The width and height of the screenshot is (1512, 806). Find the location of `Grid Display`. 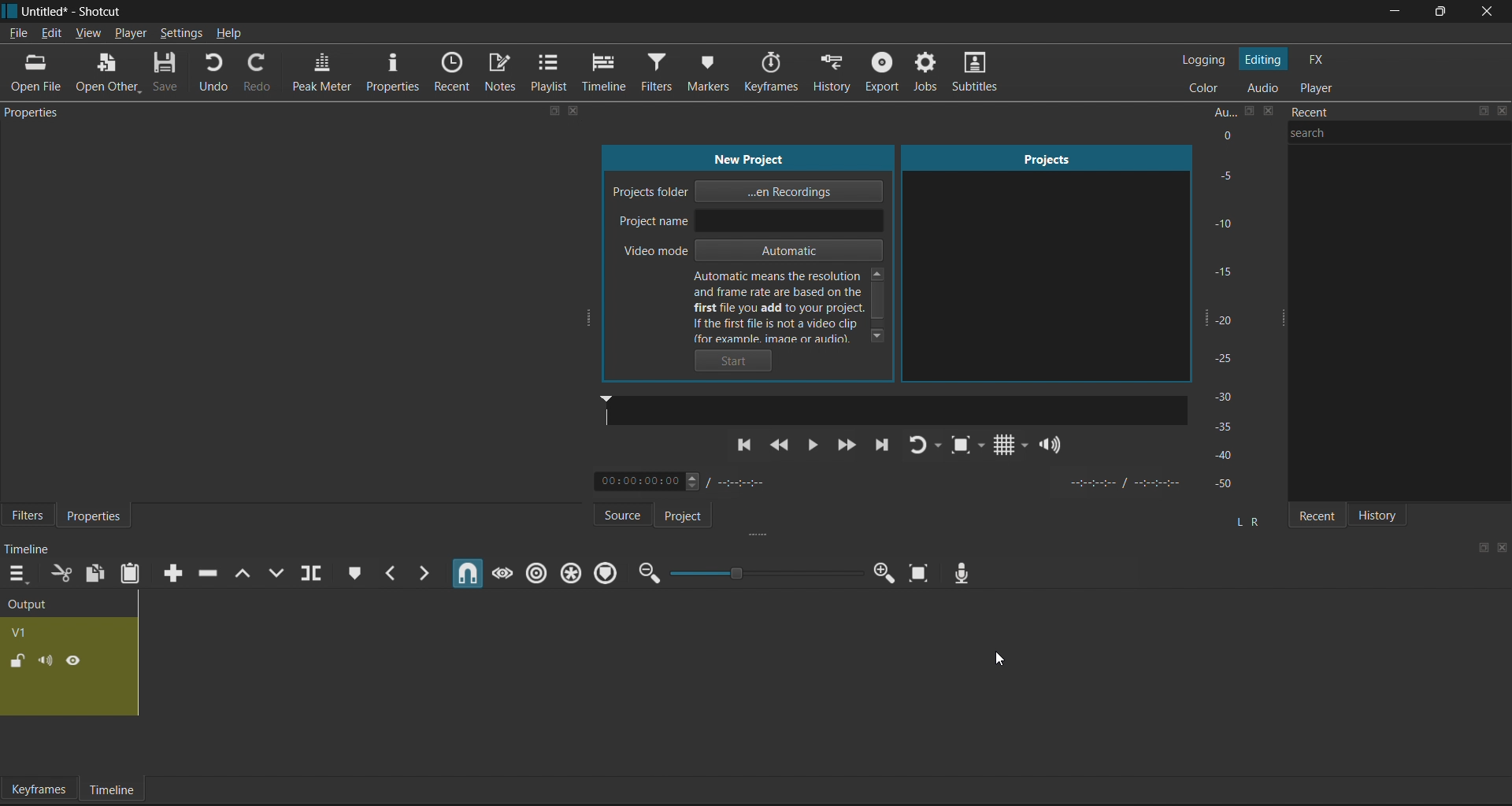

Grid Display is located at coordinates (1006, 447).